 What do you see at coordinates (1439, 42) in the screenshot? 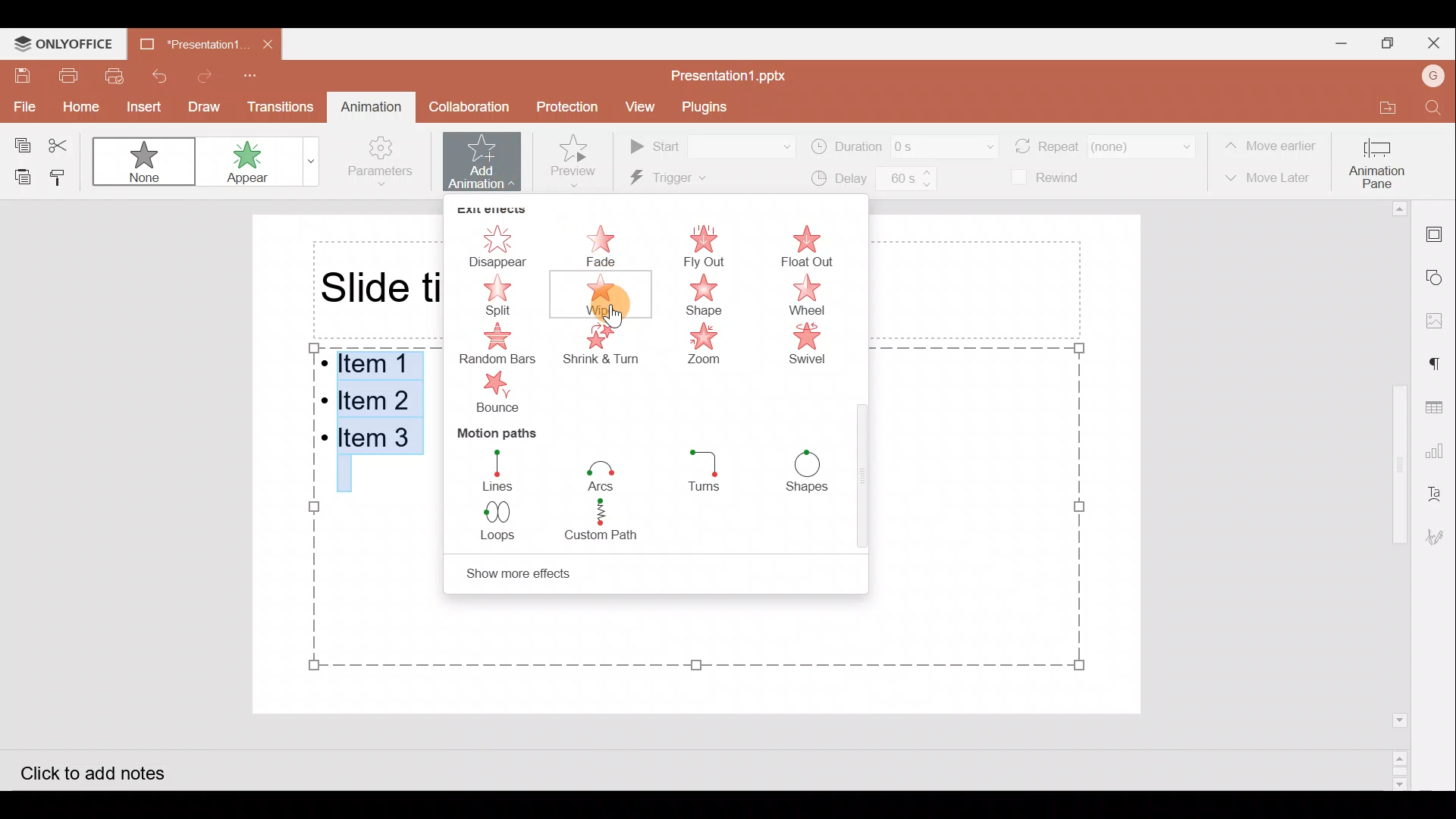
I see `Close` at bounding box center [1439, 42].